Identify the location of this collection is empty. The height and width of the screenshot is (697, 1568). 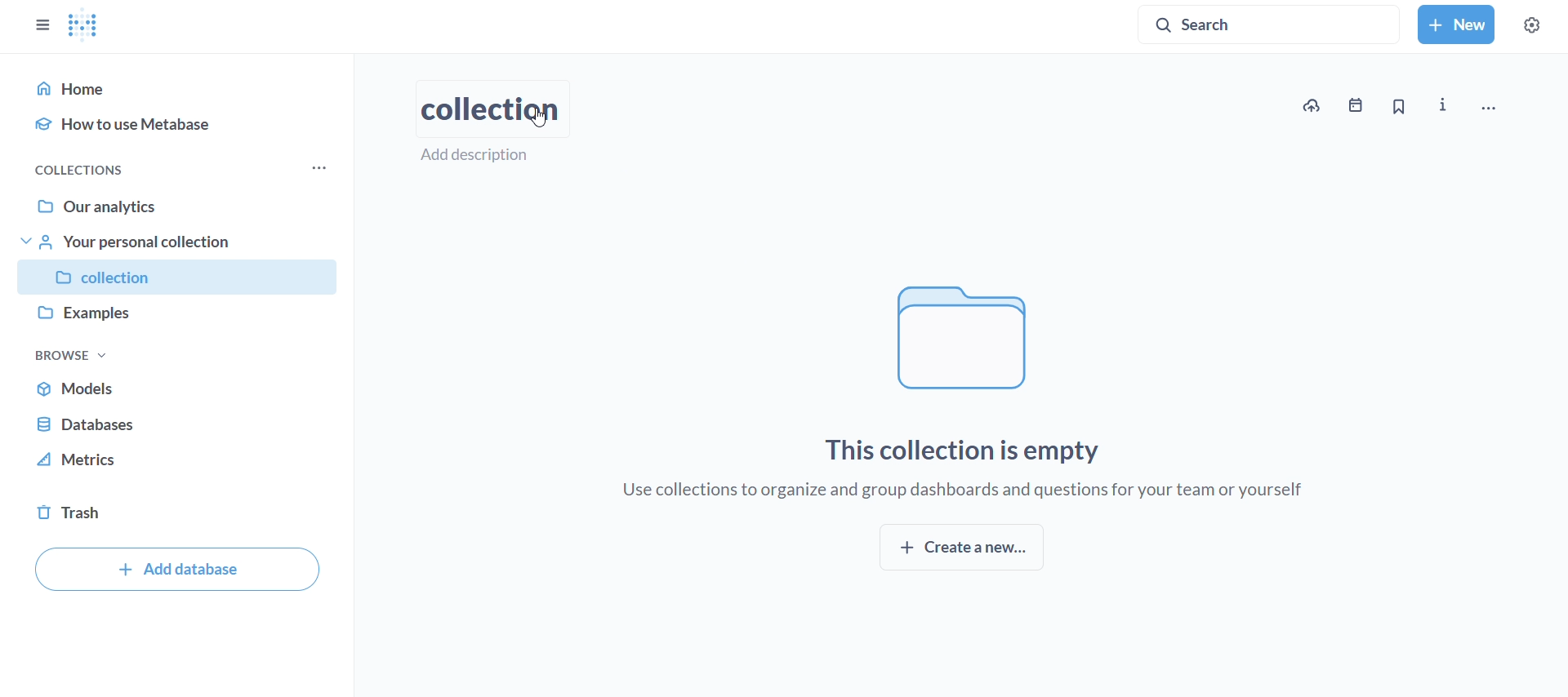
(967, 450).